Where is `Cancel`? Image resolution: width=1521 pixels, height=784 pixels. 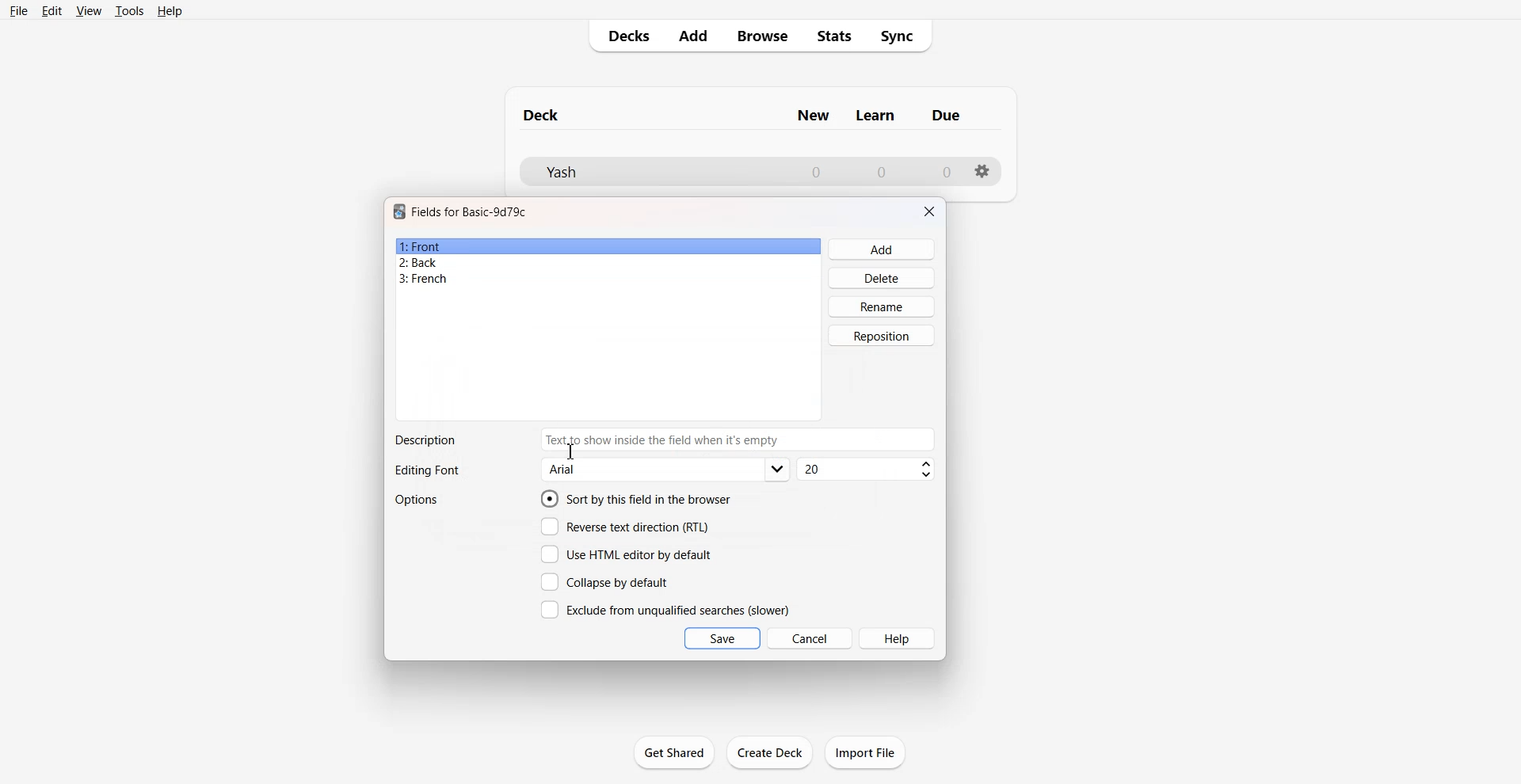
Cancel is located at coordinates (810, 637).